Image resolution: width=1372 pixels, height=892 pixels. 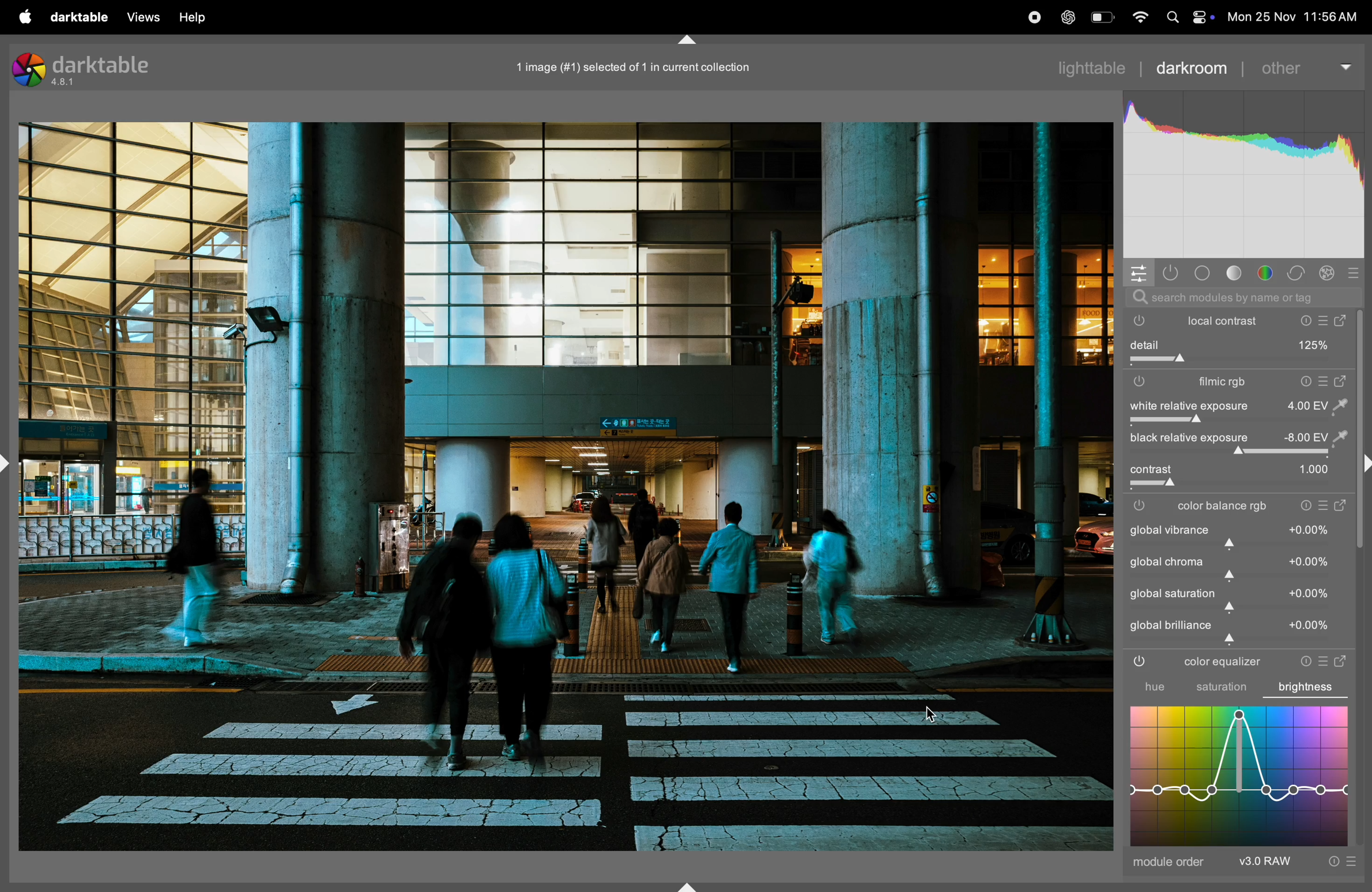 I want to click on wifi, so click(x=1139, y=17).